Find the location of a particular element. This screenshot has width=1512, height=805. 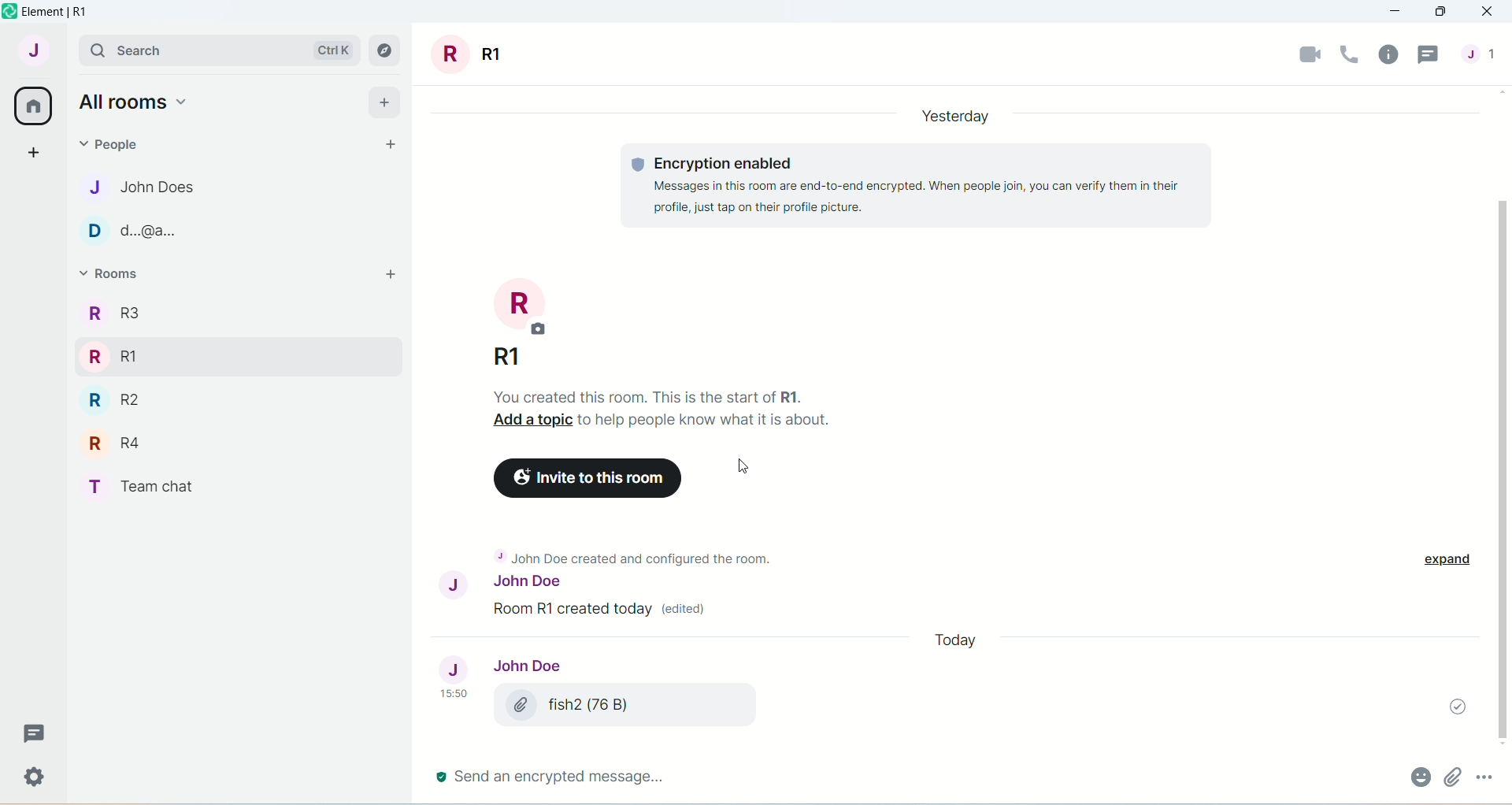

R RI is located at coordinates (113, 357).